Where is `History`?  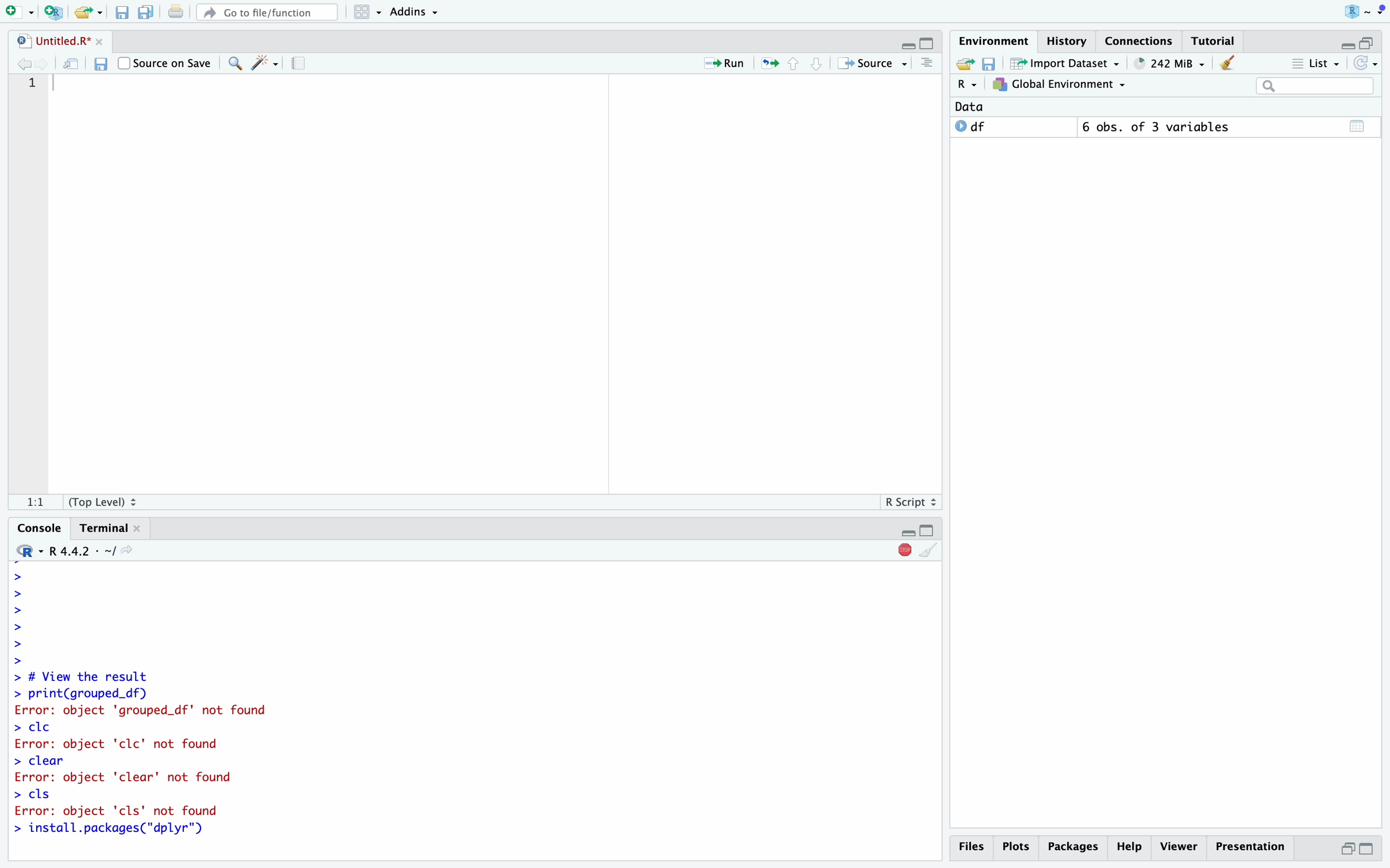
History is located at coordinates (1068, 41).